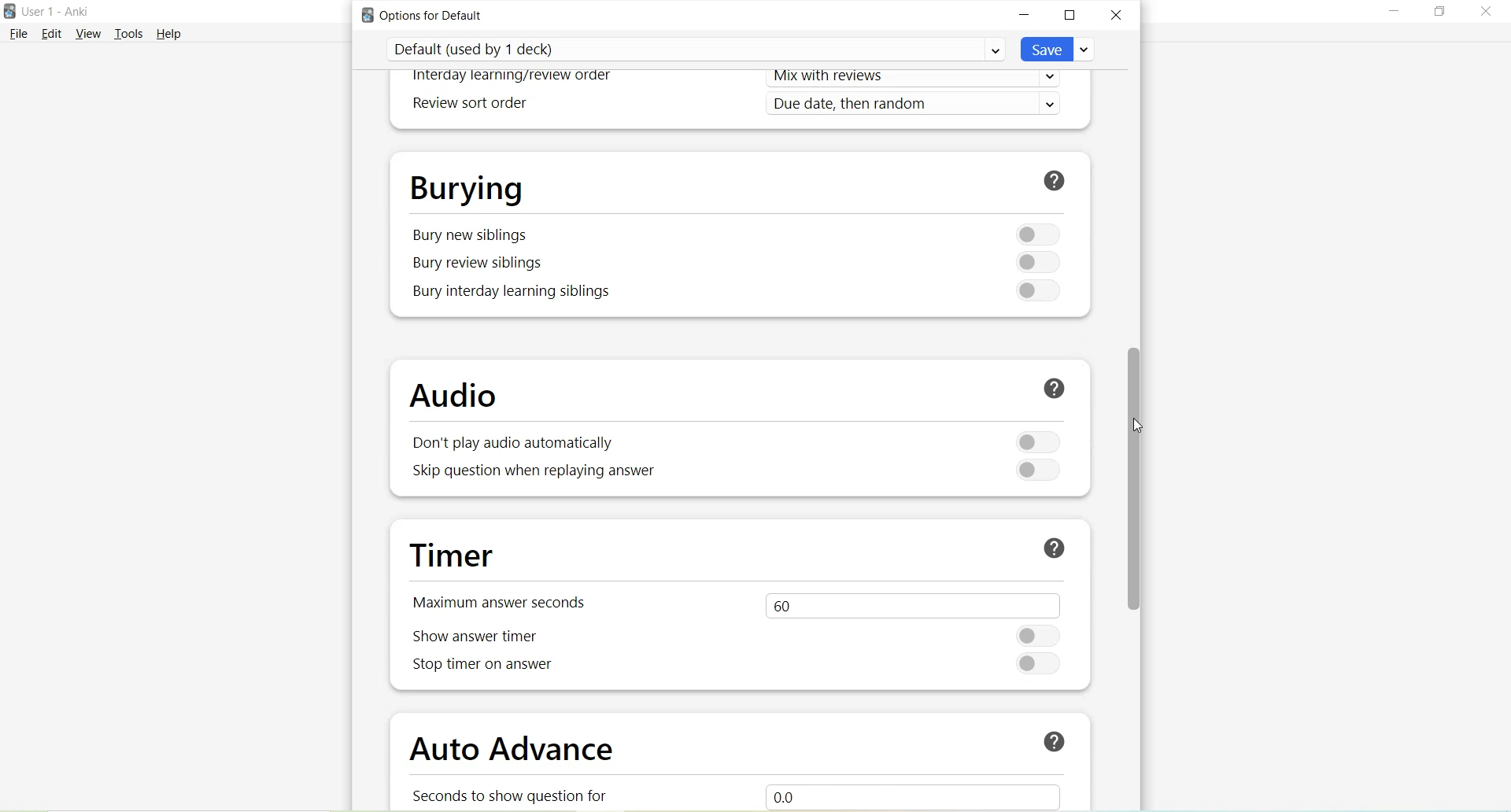 This screenshot has height=812, width=1511. What do you see at coordinates (132, 34) in the screenshot?
I see `Tools` at bounding box center [132, 34].